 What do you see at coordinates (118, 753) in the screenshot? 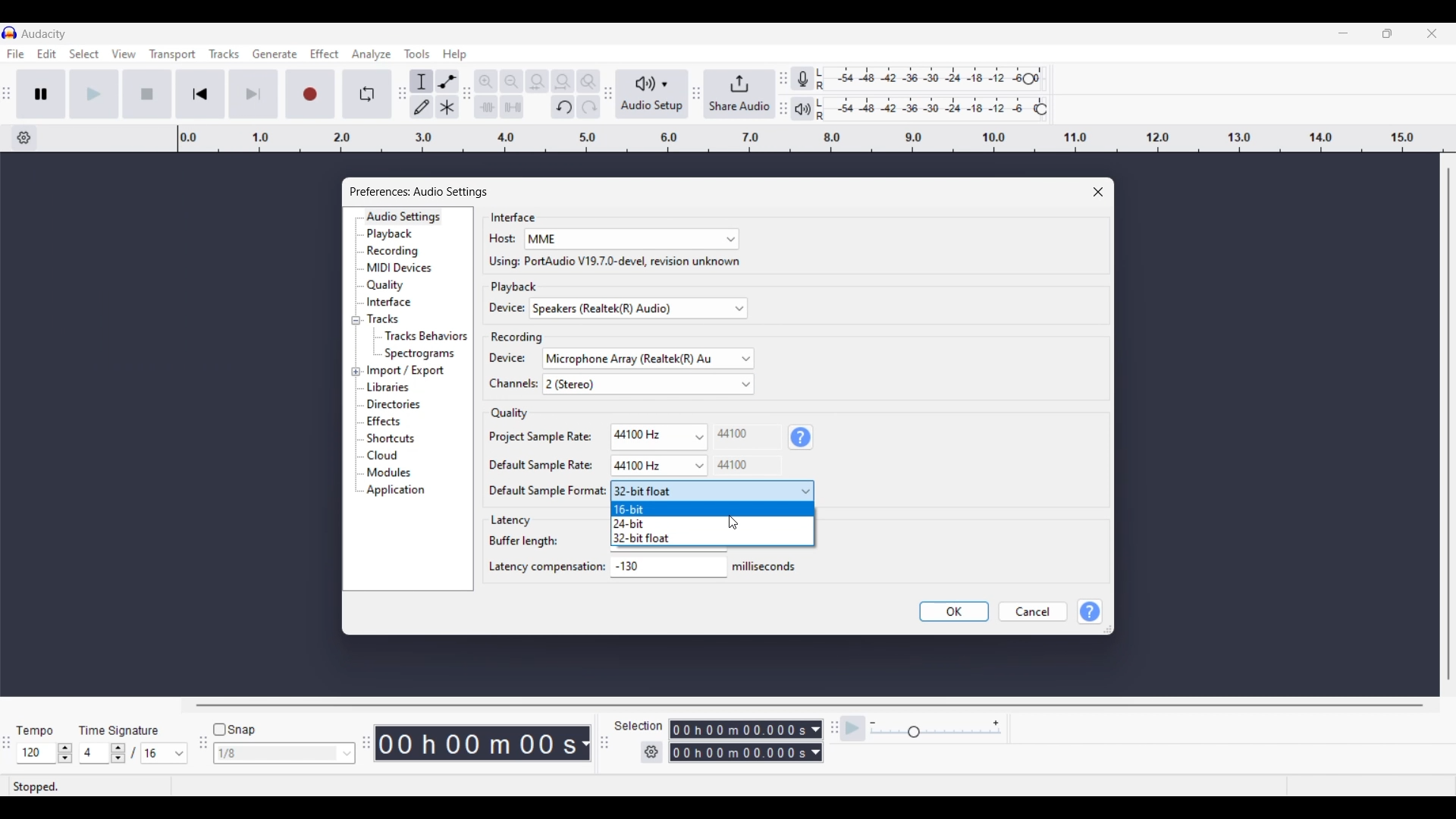
I see `Increase/Decrease time signature` at bounding box center [118, 753].